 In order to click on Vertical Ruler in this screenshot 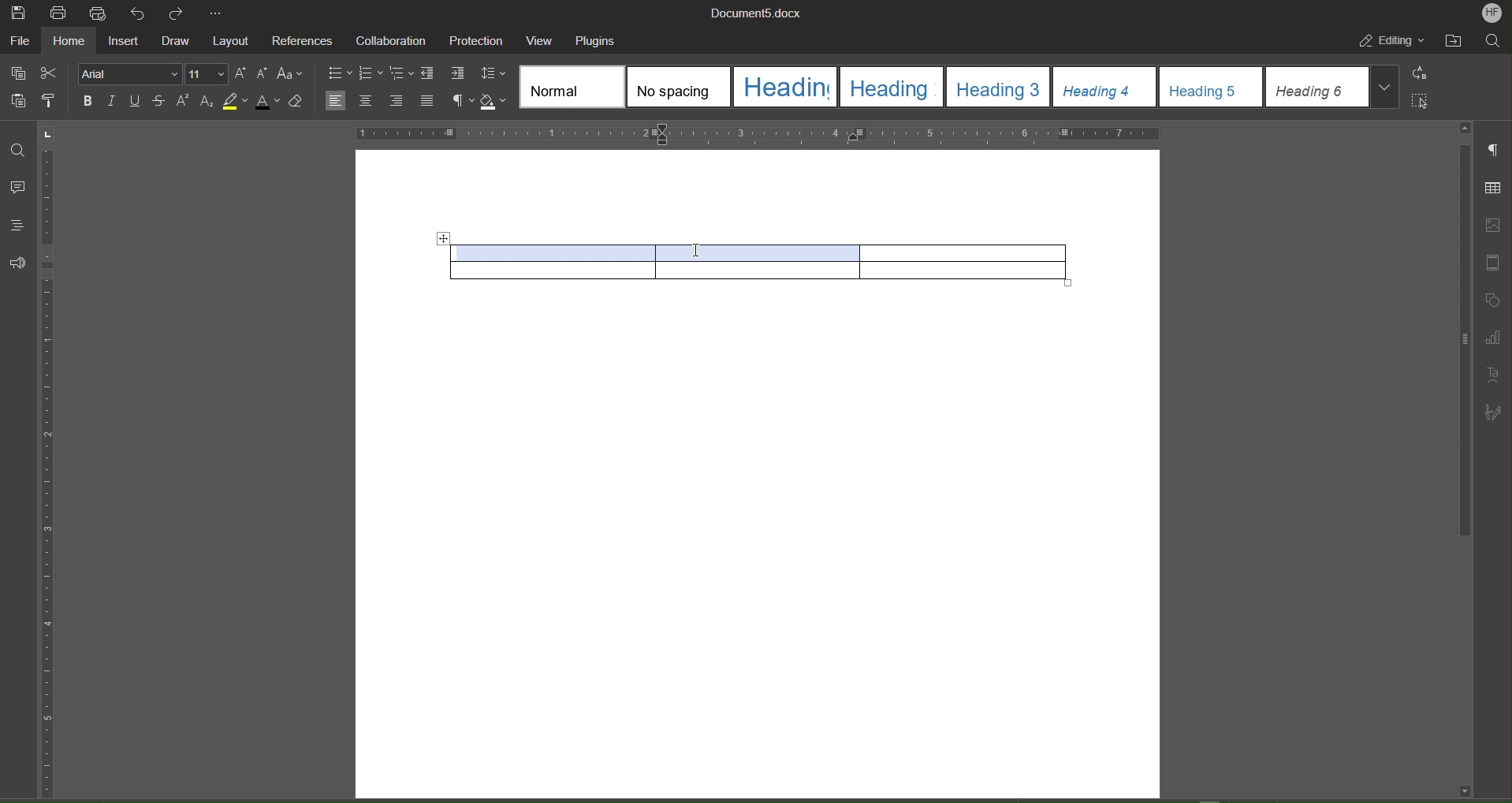, I will do `click(50, 472)`.